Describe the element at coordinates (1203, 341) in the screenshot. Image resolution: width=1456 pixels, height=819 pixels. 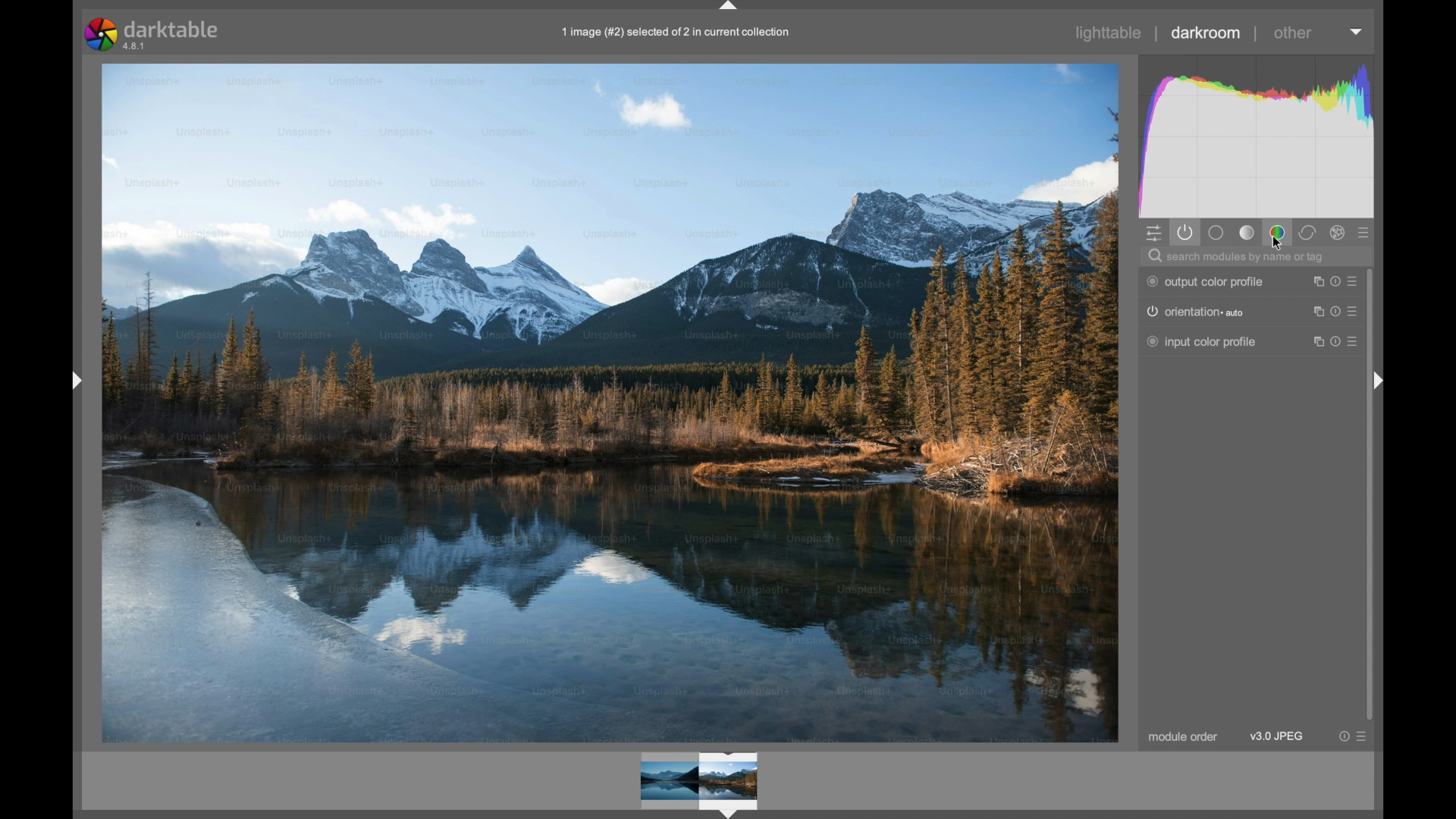
I see `input color profile` at that location.